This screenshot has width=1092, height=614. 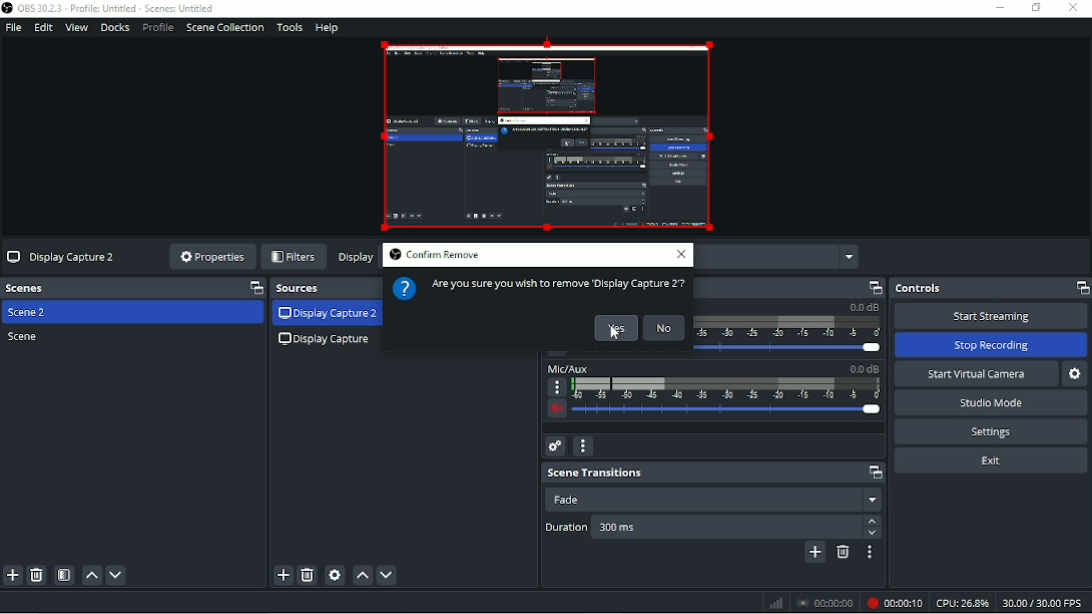 I want to click on Docks, so click(x=116, y=28).